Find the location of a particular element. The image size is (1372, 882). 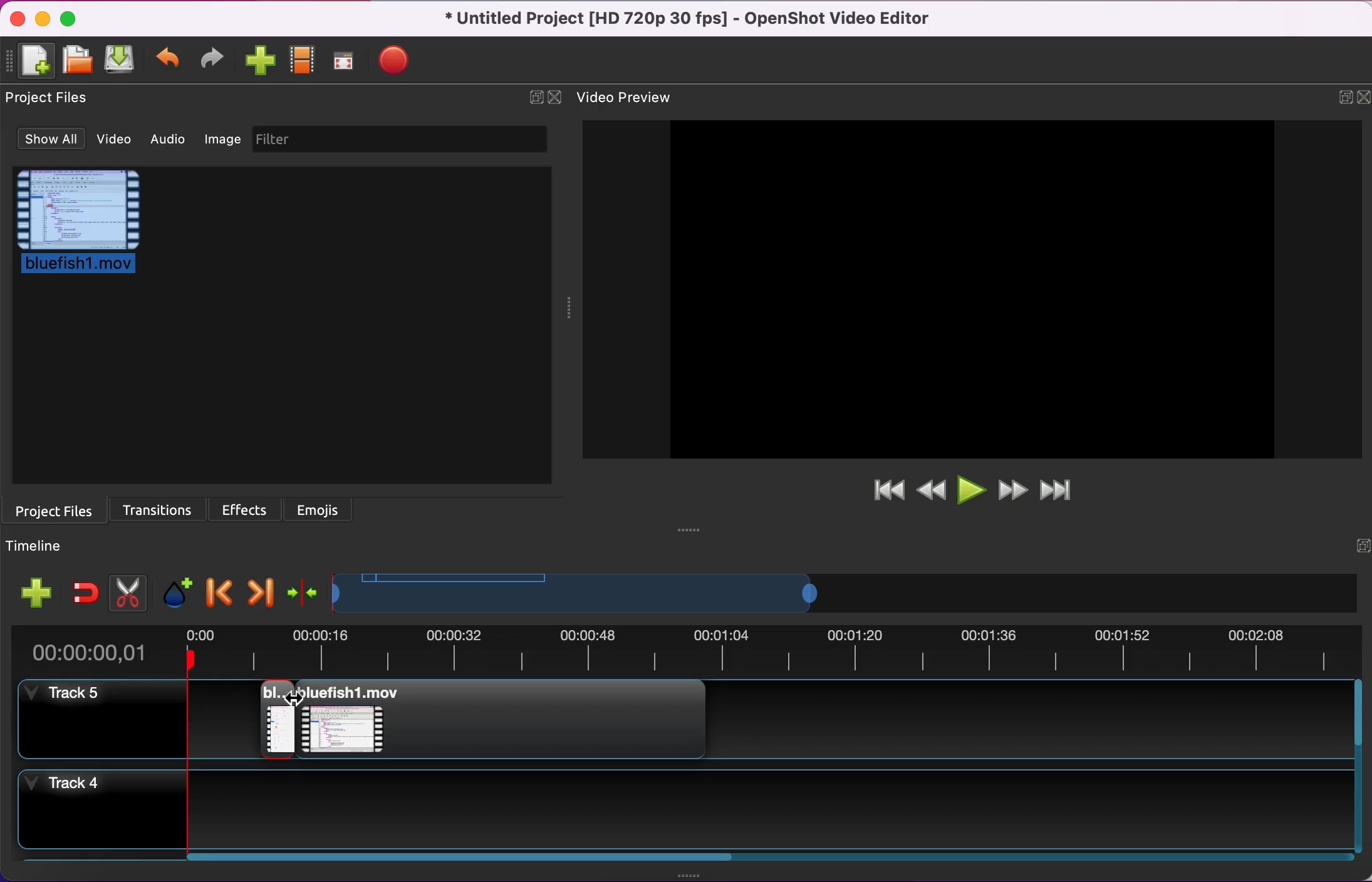

redo is located at coordinates (216, 61).